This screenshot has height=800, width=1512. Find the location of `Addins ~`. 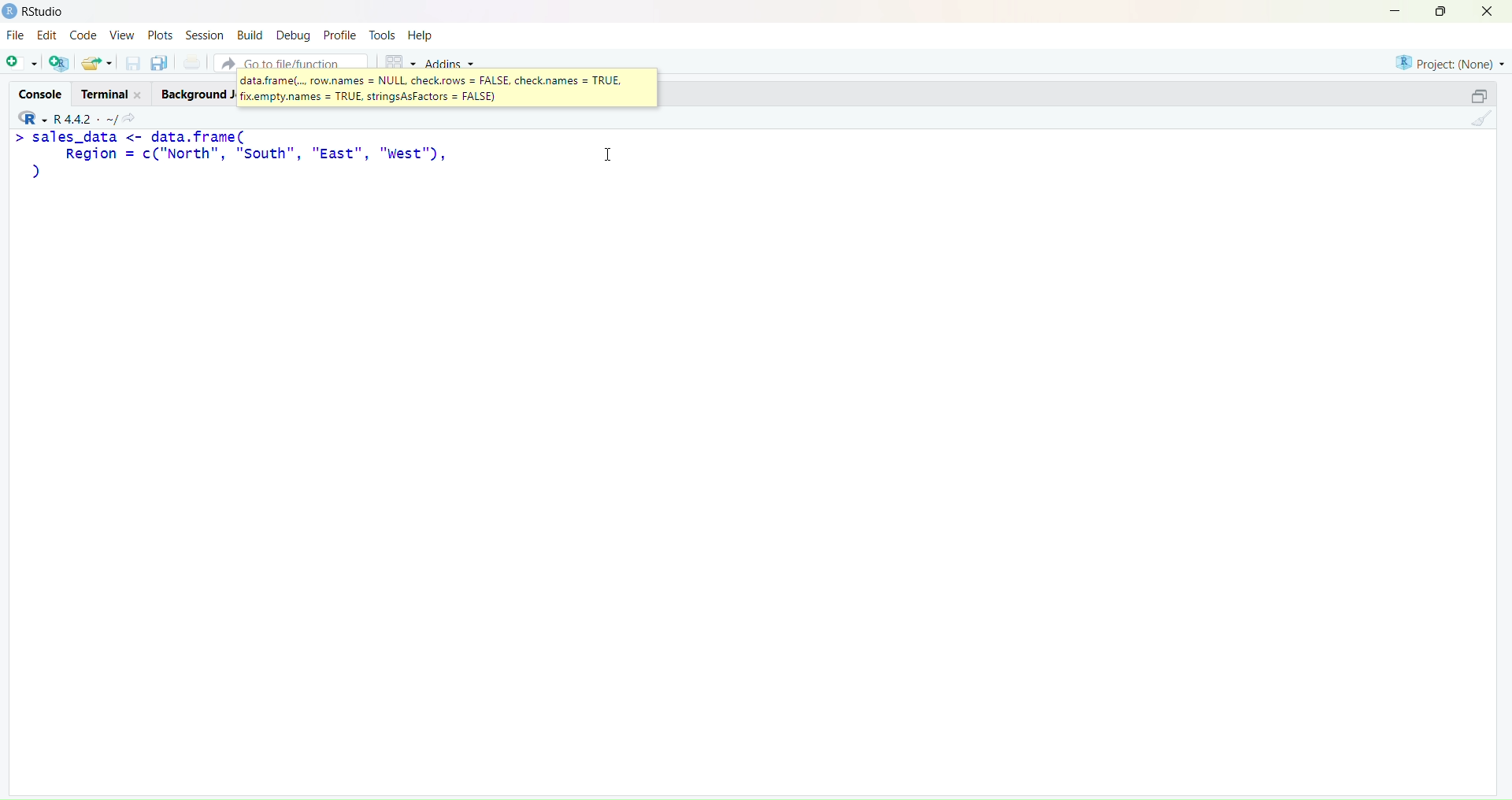

Addins ~ is located at coordinates (450, 64).